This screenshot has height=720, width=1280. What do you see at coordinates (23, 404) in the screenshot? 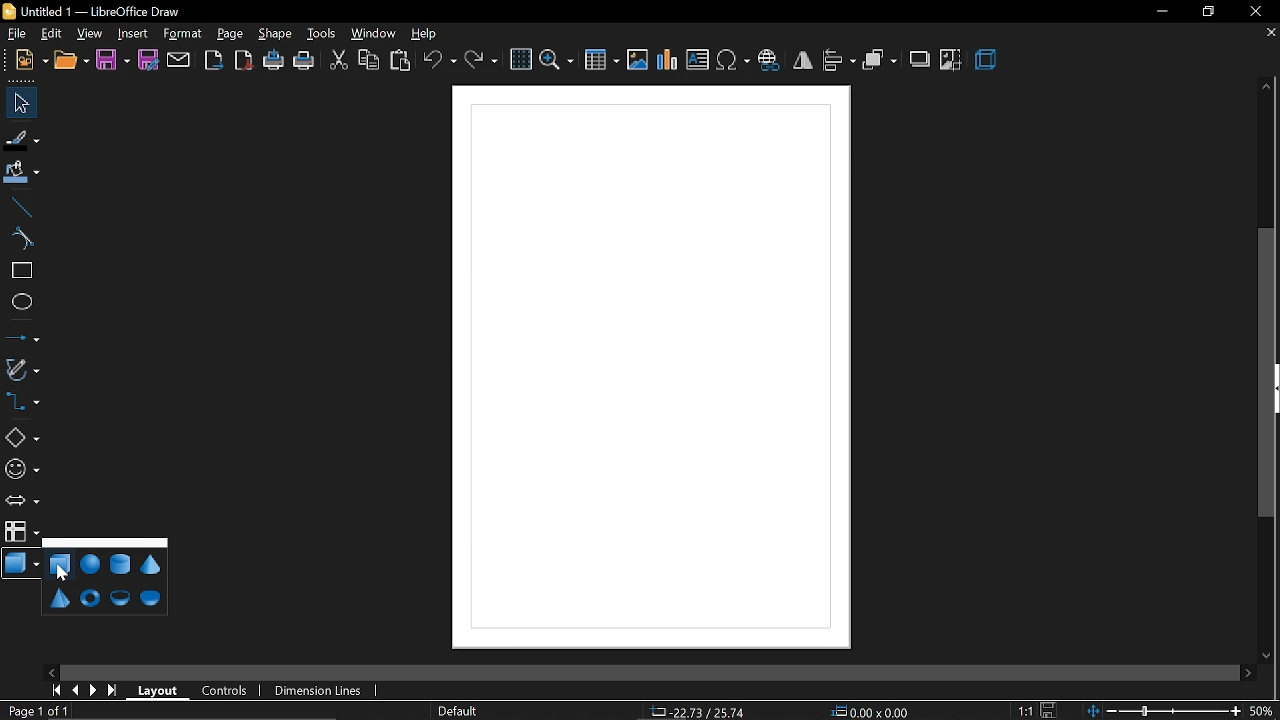
I see `connector` at bounding box center [23, 404].